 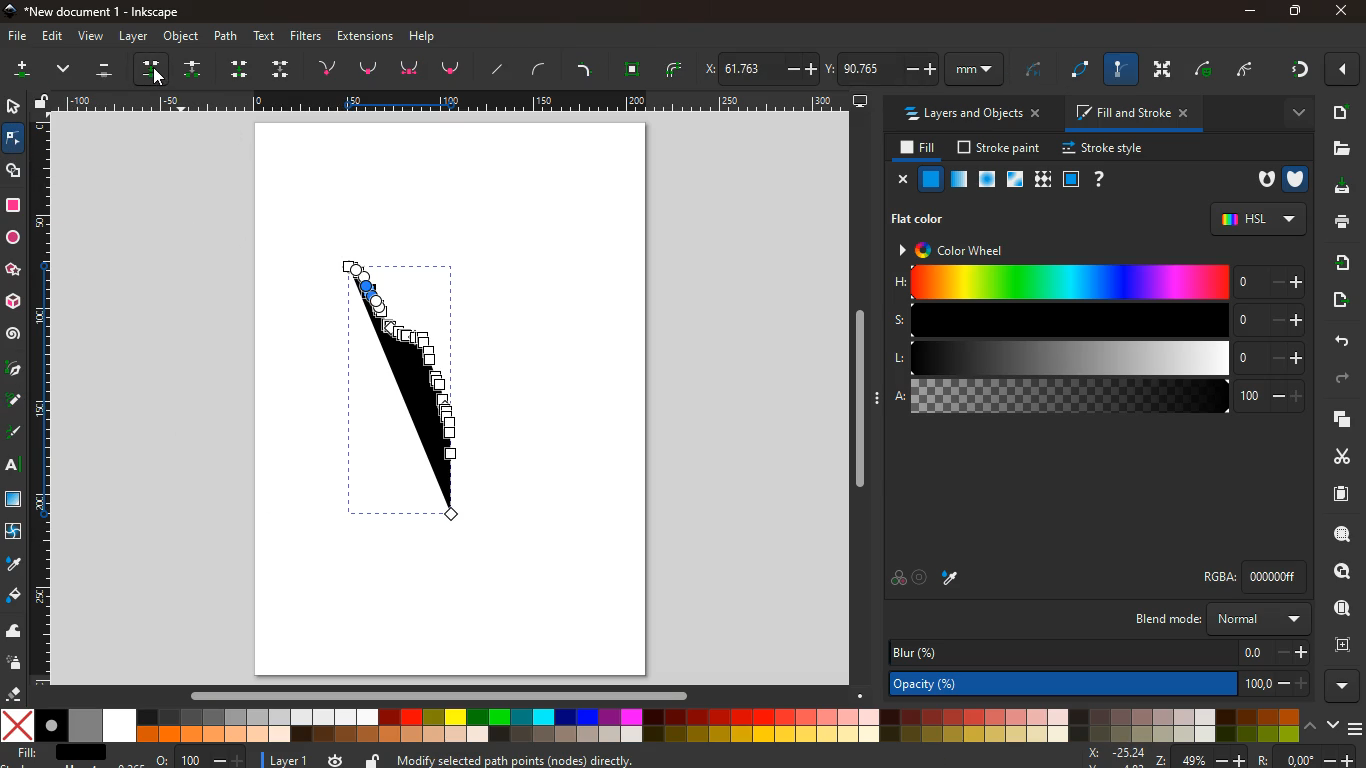 I want to click on diagonal, so click(x=500, y=69).